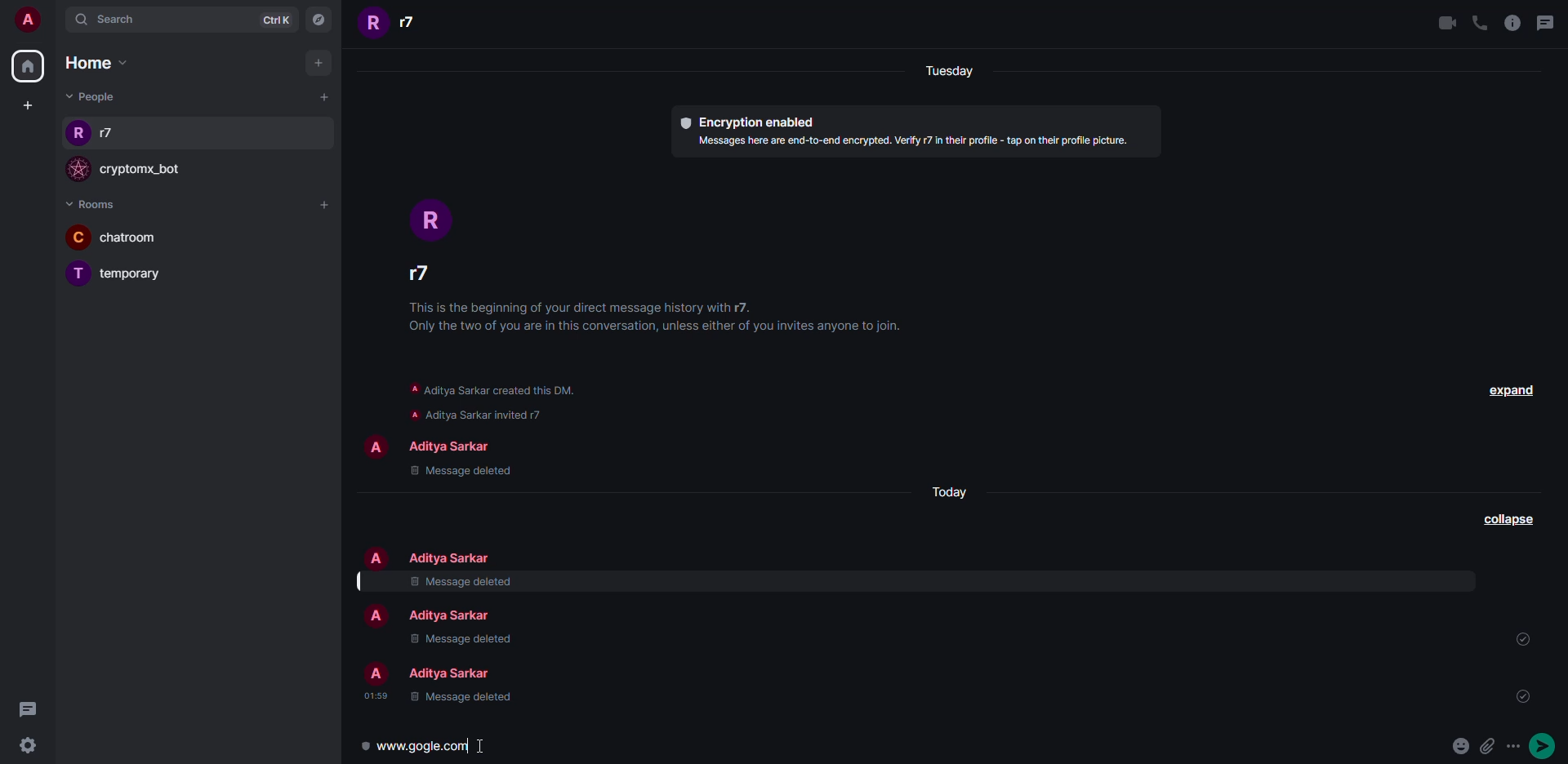 This screenshot has height=764, width=1568. What do you see at coordinates (376, 674) in the screenshot?
I see `profile` at bounding box center [376, 674].